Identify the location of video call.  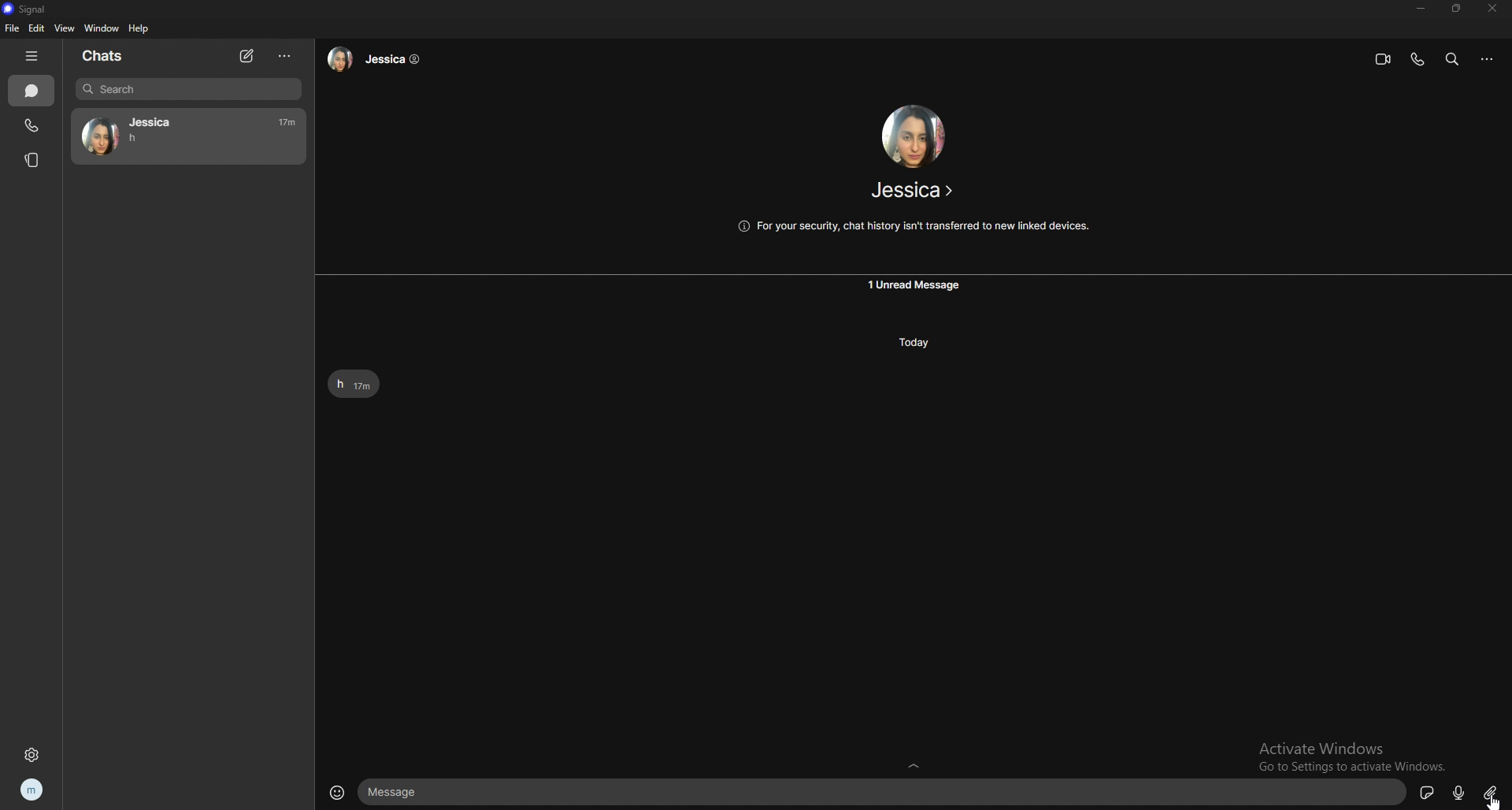
(1384, 60).